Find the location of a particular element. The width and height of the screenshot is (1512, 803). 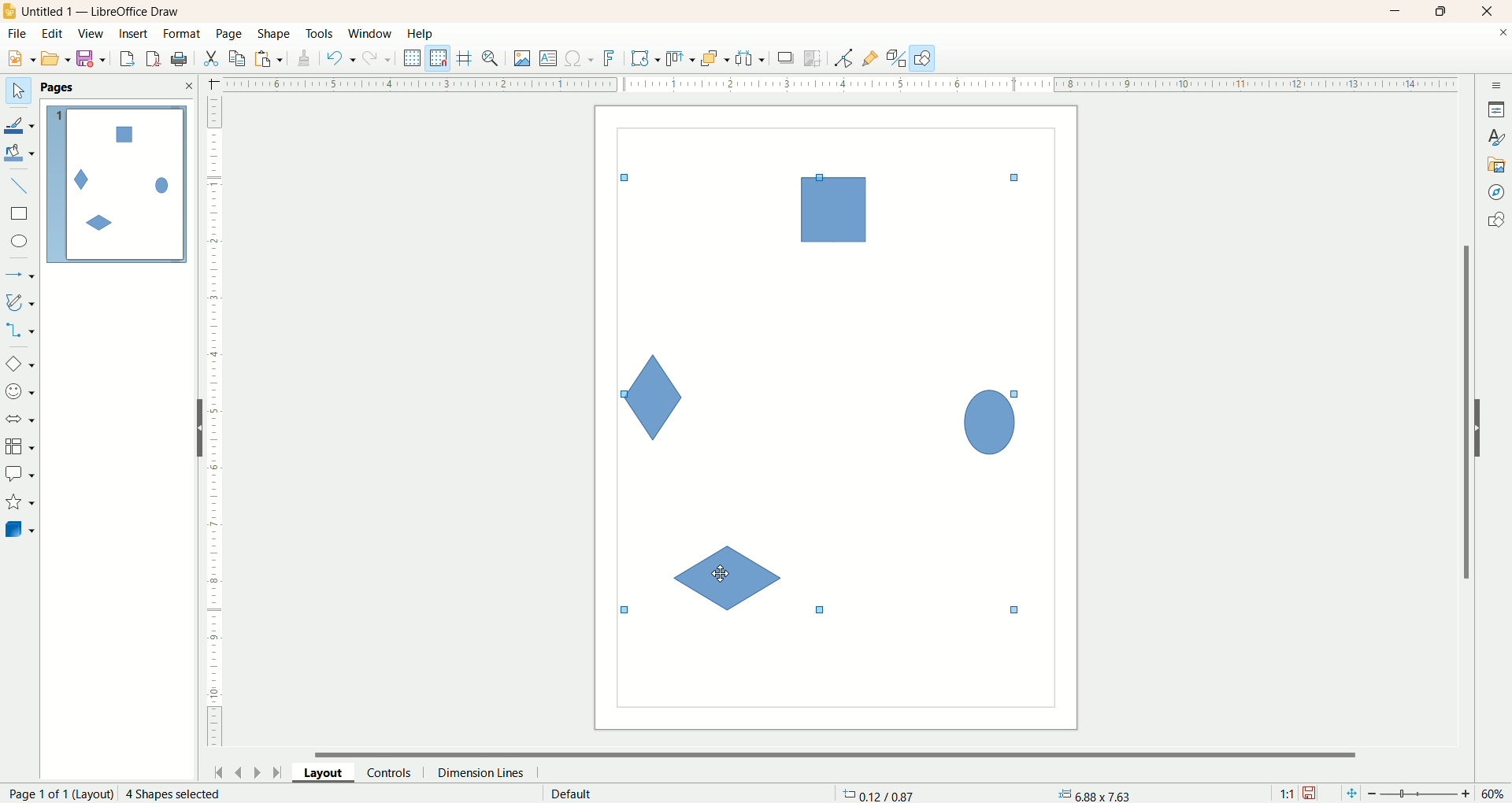

redo is located at coordinates (380, 57).